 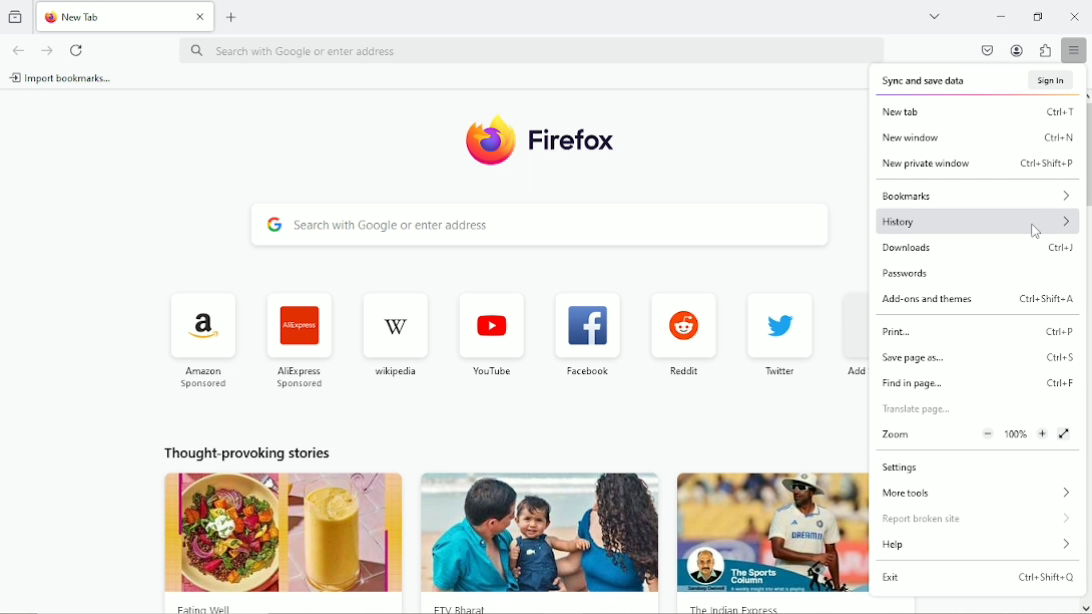 What do you see at coordinates (978, 113) in the screenshot?
I see `new tab` at bounding box center [978, 113].